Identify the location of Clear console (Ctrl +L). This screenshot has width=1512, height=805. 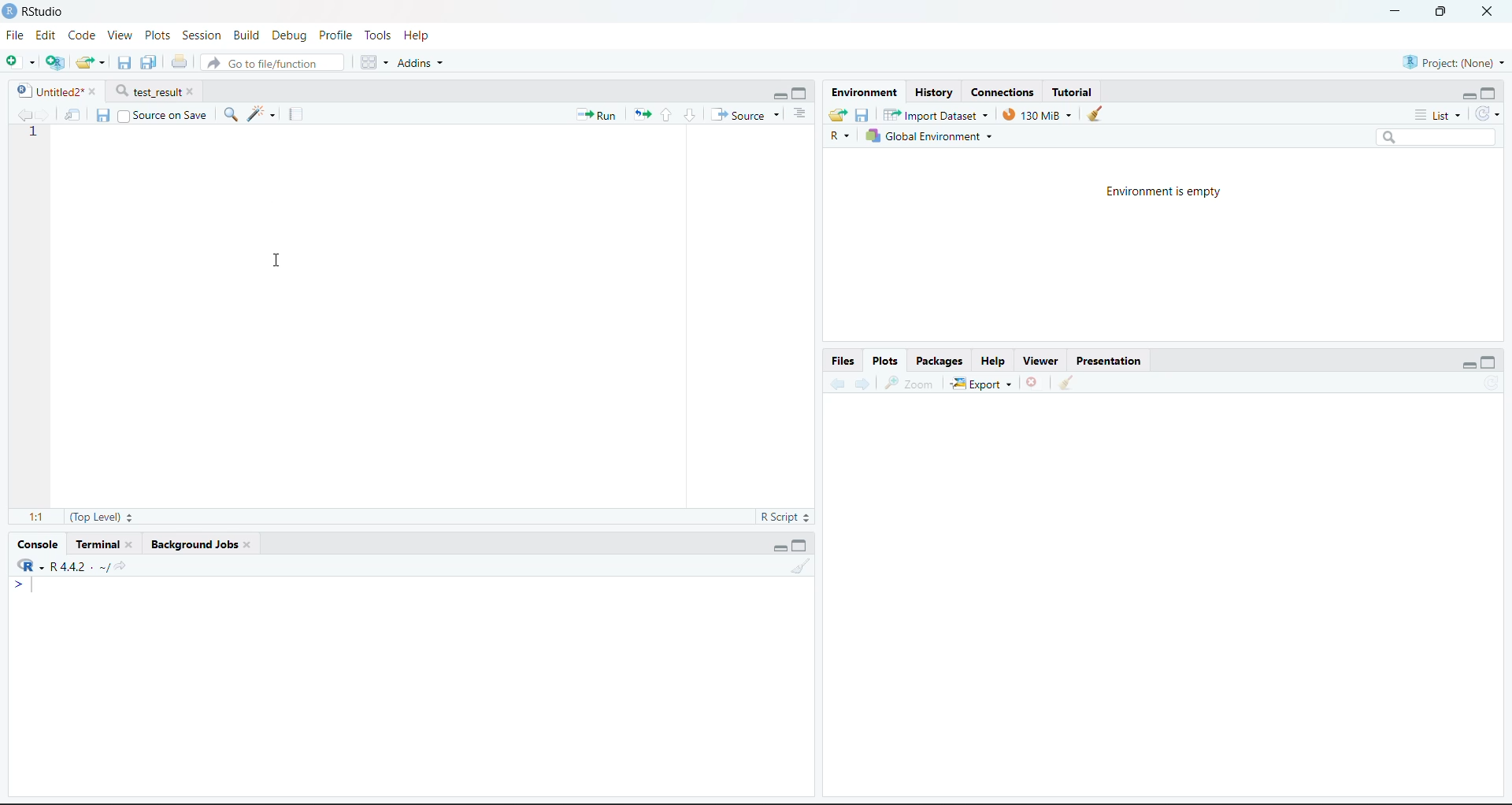
(1097, 114).